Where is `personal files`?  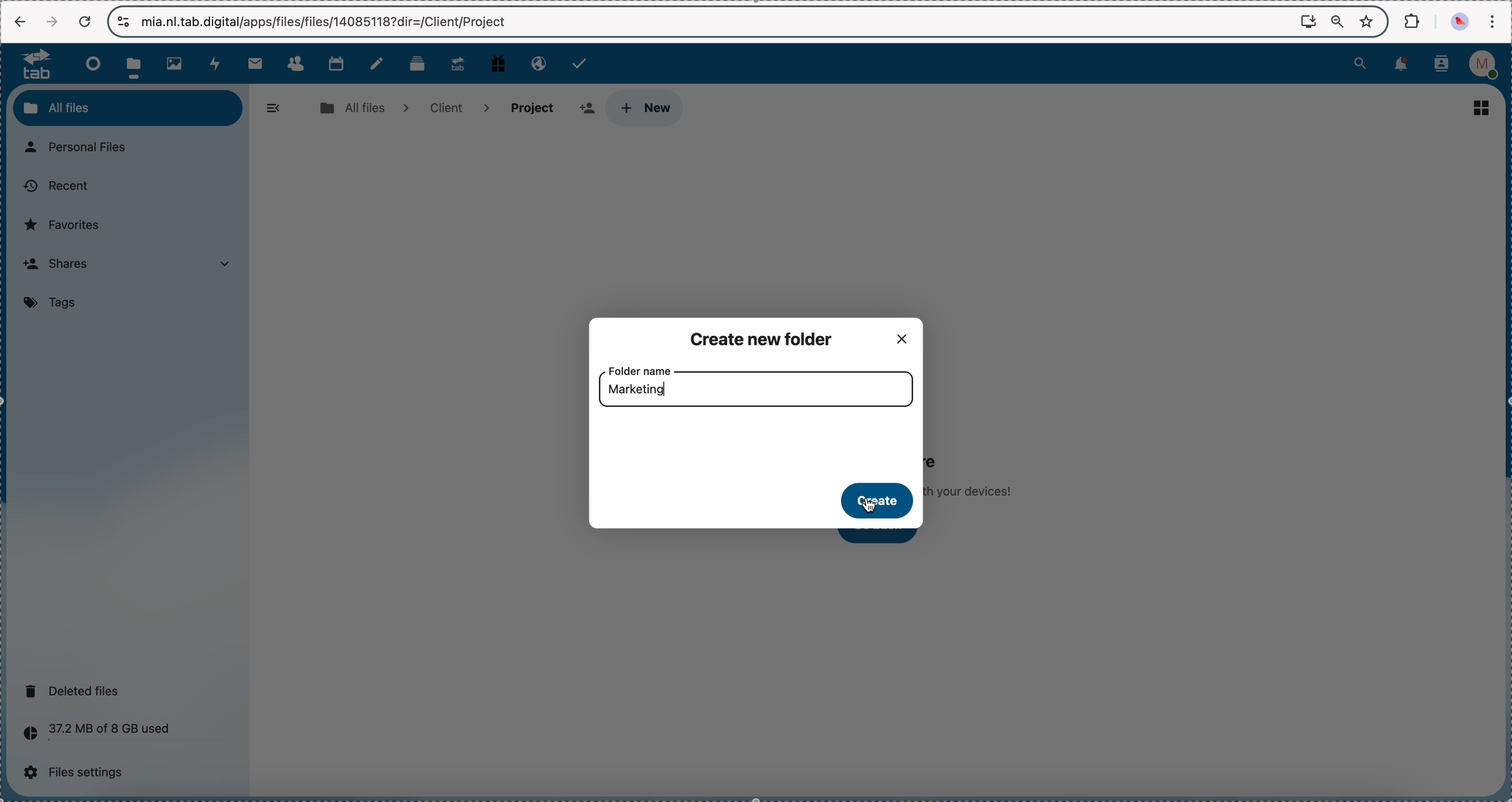
personal files is located at coordinates (82, 148).